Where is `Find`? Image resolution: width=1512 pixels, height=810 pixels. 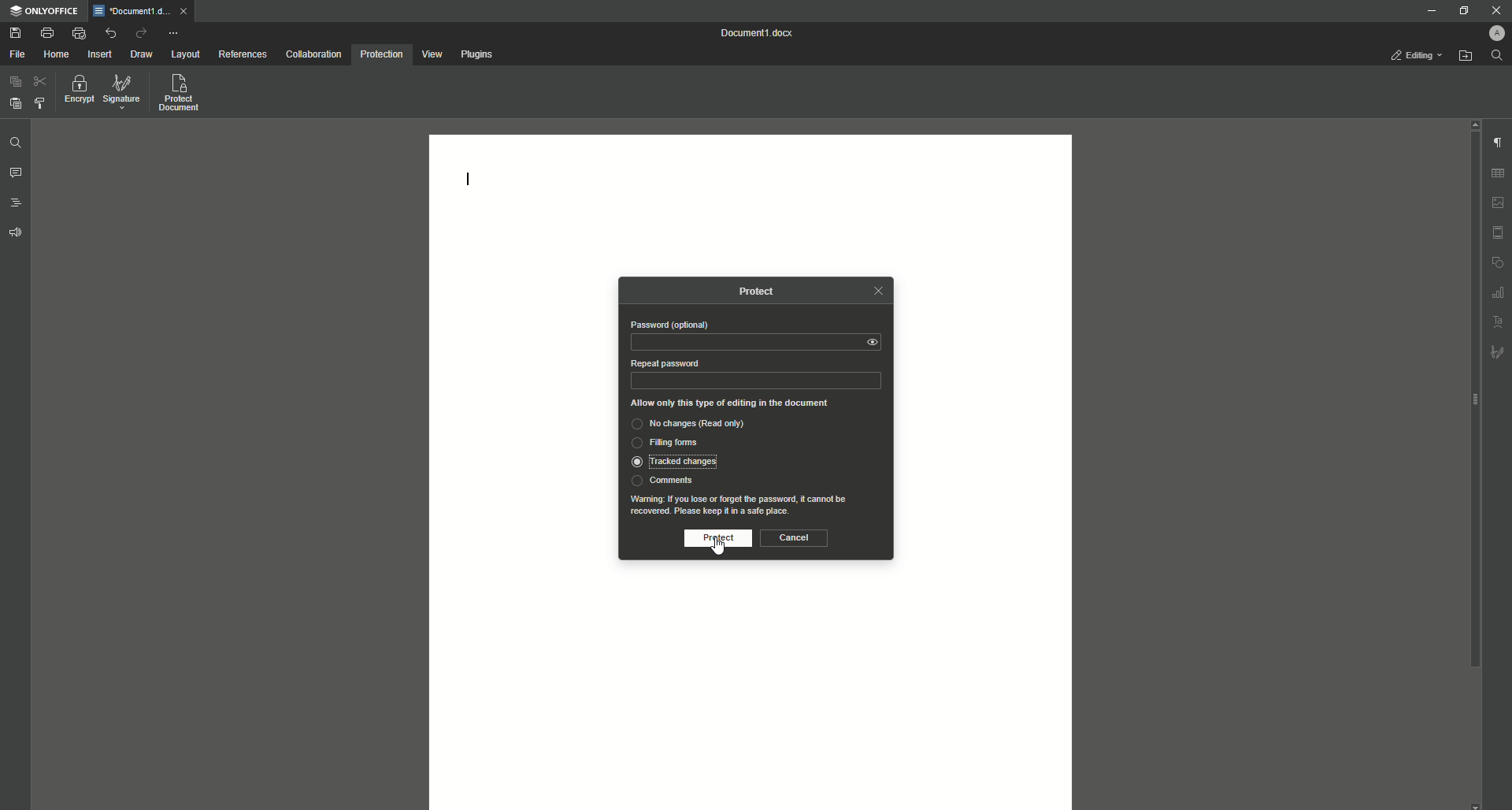
Find is located at coordinates (14, 143).